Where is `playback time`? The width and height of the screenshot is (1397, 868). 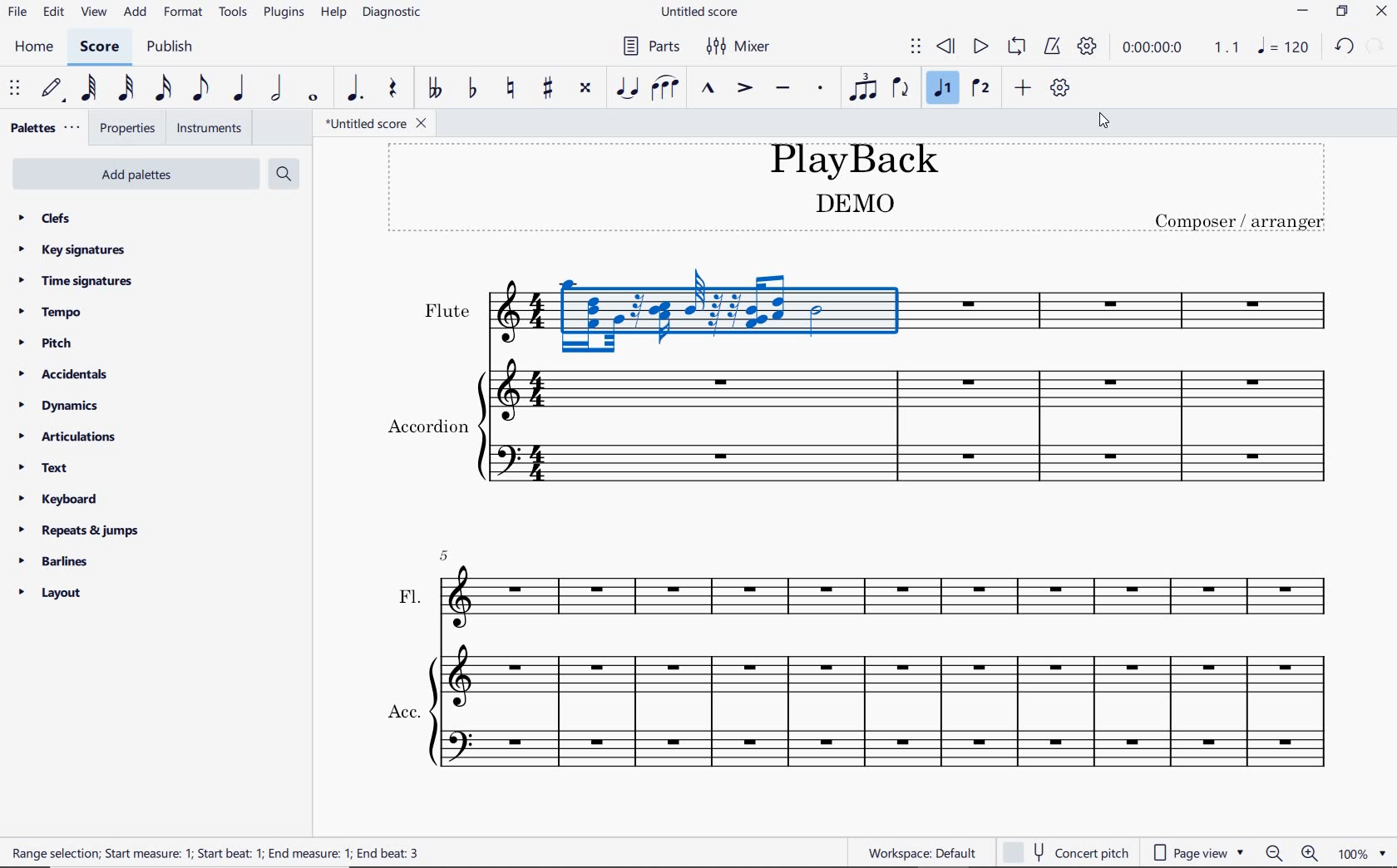
playback time is located at coordinates (1151, 47).